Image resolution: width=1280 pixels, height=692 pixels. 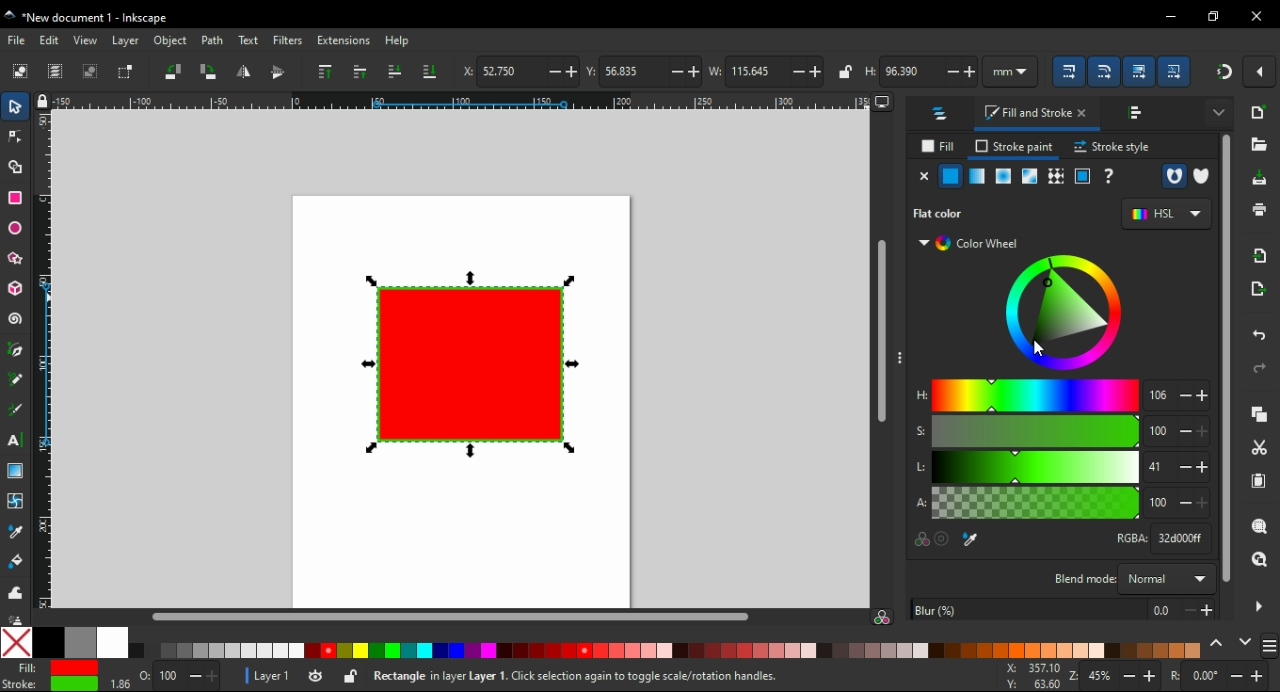 I want to click on increase/decrease, so click(x=1249, y=676).